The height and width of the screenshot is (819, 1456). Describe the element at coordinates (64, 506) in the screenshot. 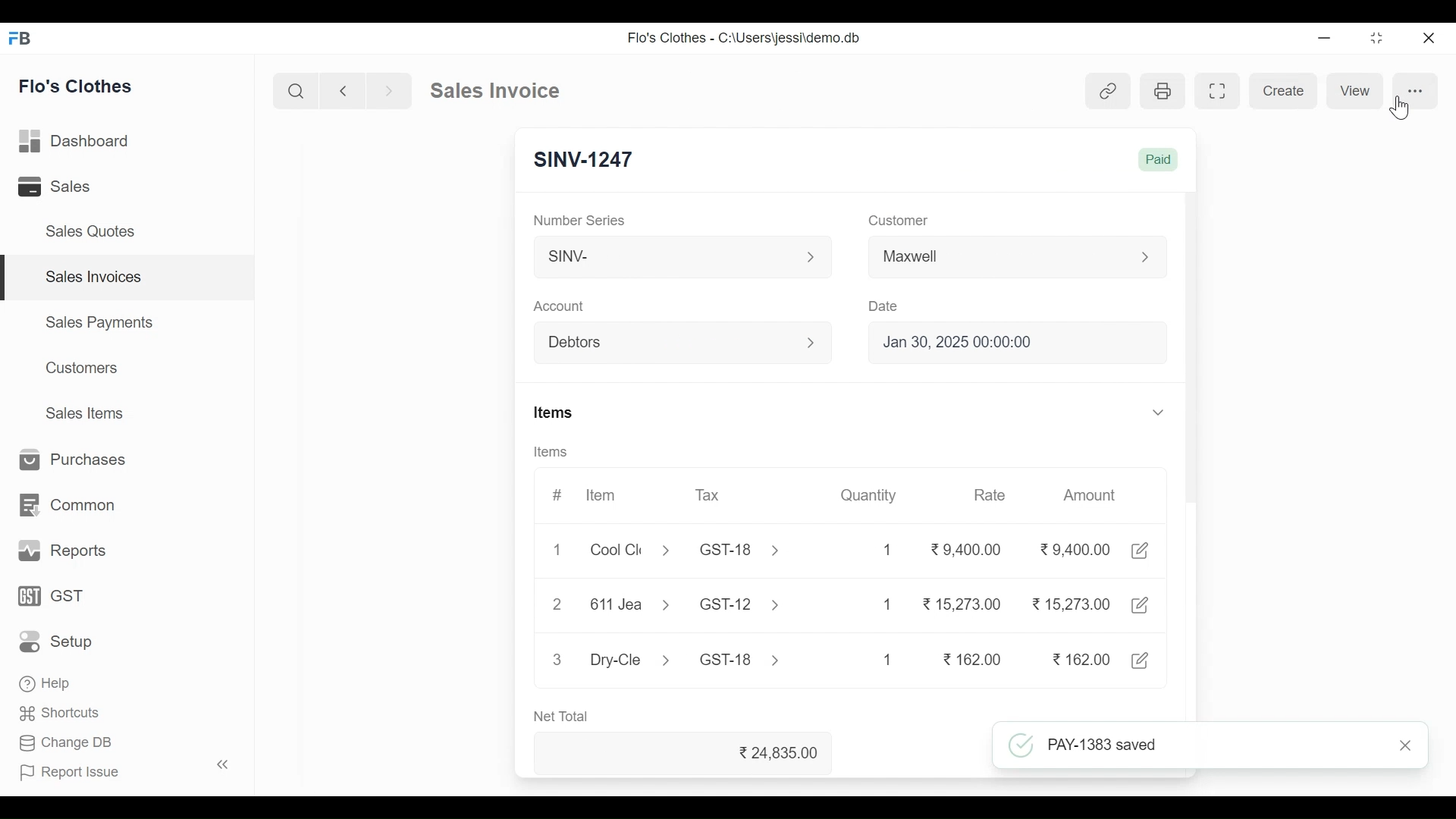

I see `Common` at that location.